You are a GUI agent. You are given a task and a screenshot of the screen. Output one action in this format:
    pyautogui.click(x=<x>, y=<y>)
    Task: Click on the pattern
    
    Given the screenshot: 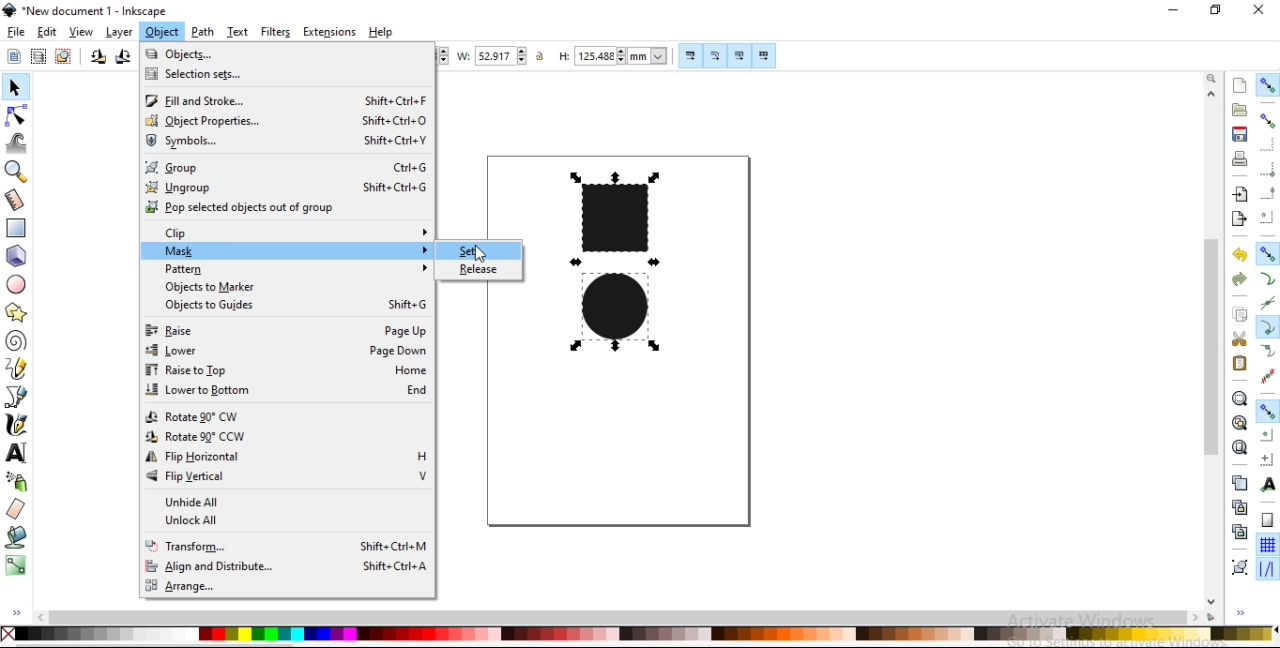 What is the action you would take?
    pyautogui.click(x=295, y=270)
    